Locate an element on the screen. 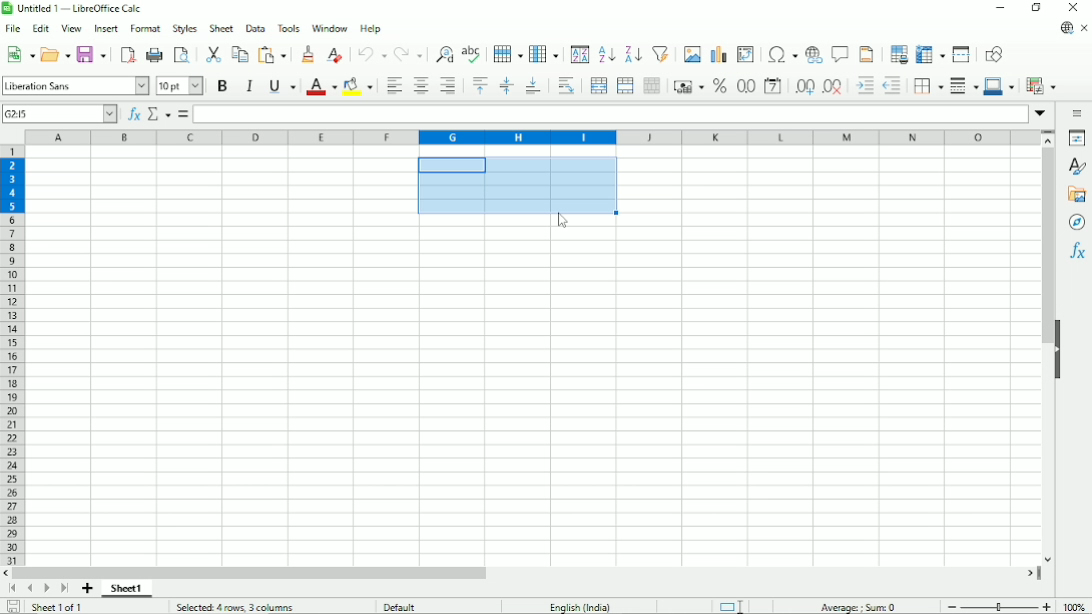 The width and height of the screenshot is (1092, 614). Average, sum is located at coordinates (860, 605).